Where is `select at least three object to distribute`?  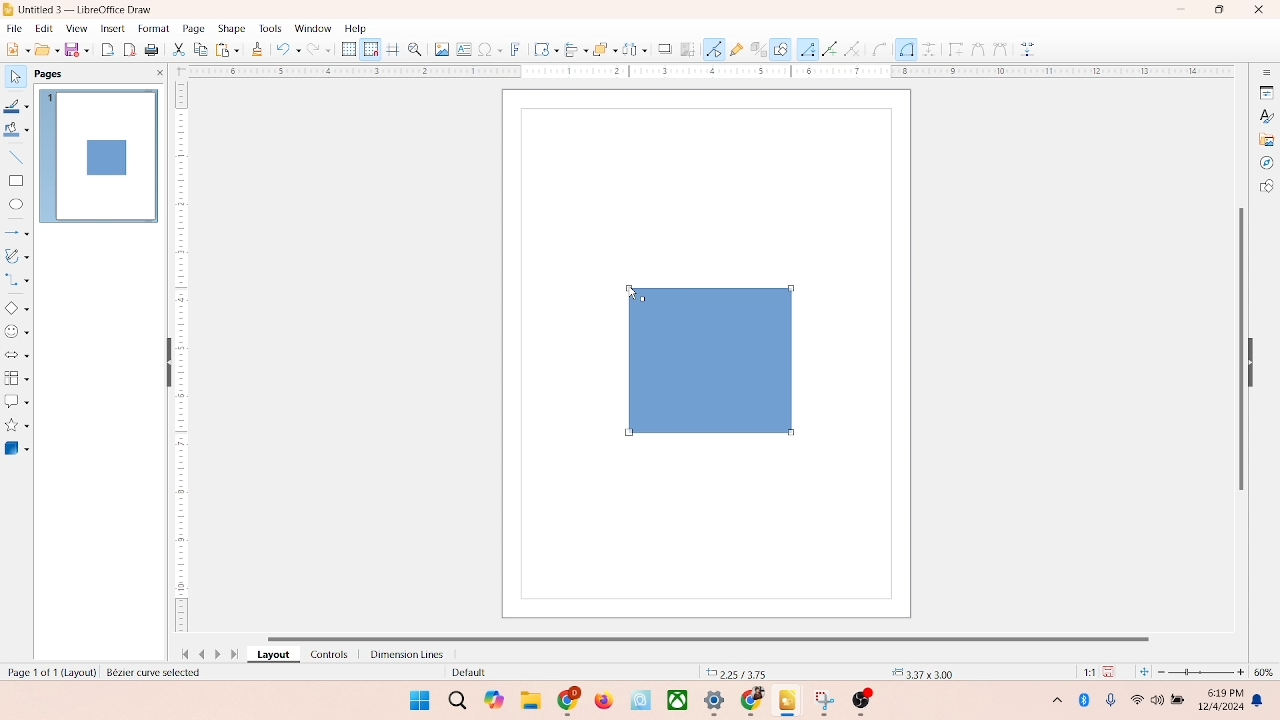 select at least three object to distribute is located at coordinates (630, 50).